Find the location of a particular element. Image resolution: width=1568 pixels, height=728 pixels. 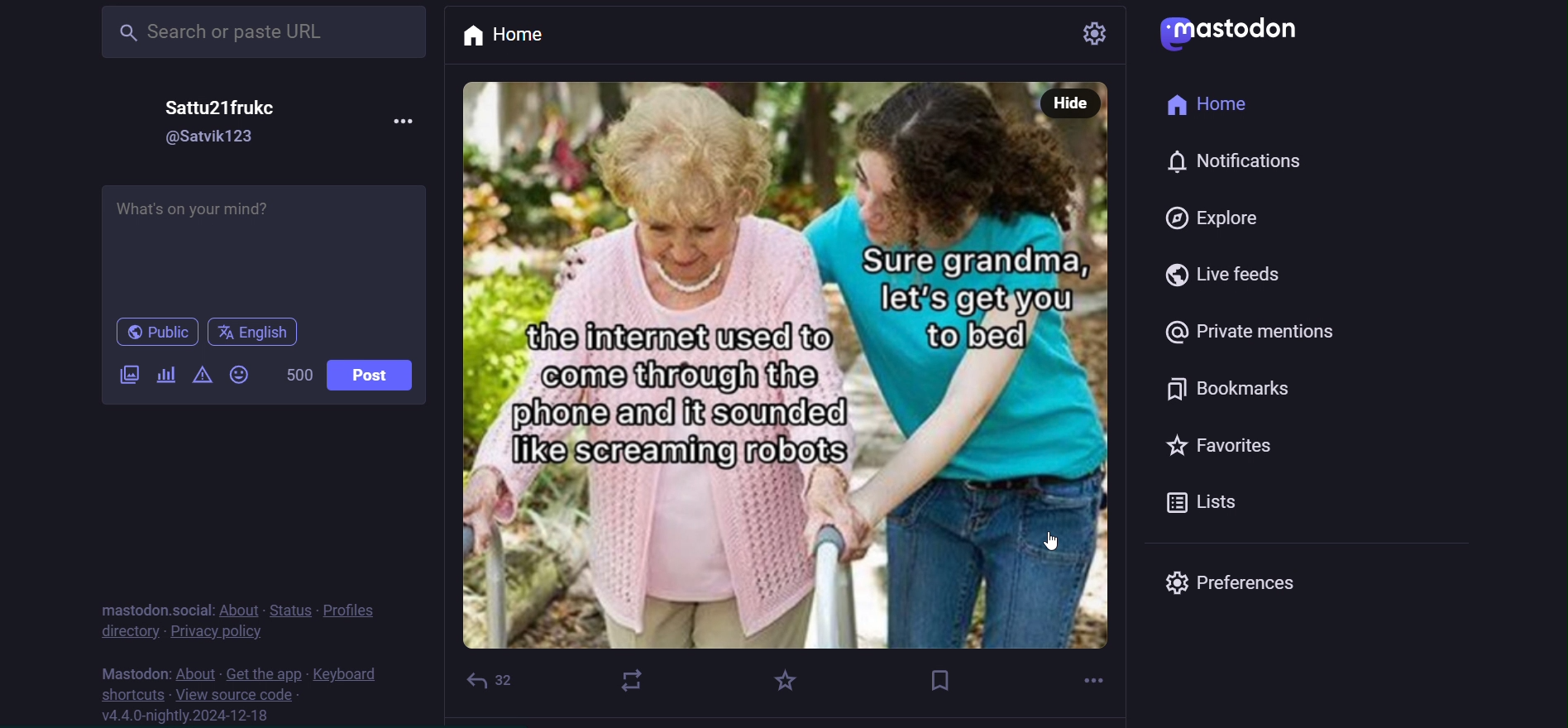

home is located at coordinates (1208, 103).